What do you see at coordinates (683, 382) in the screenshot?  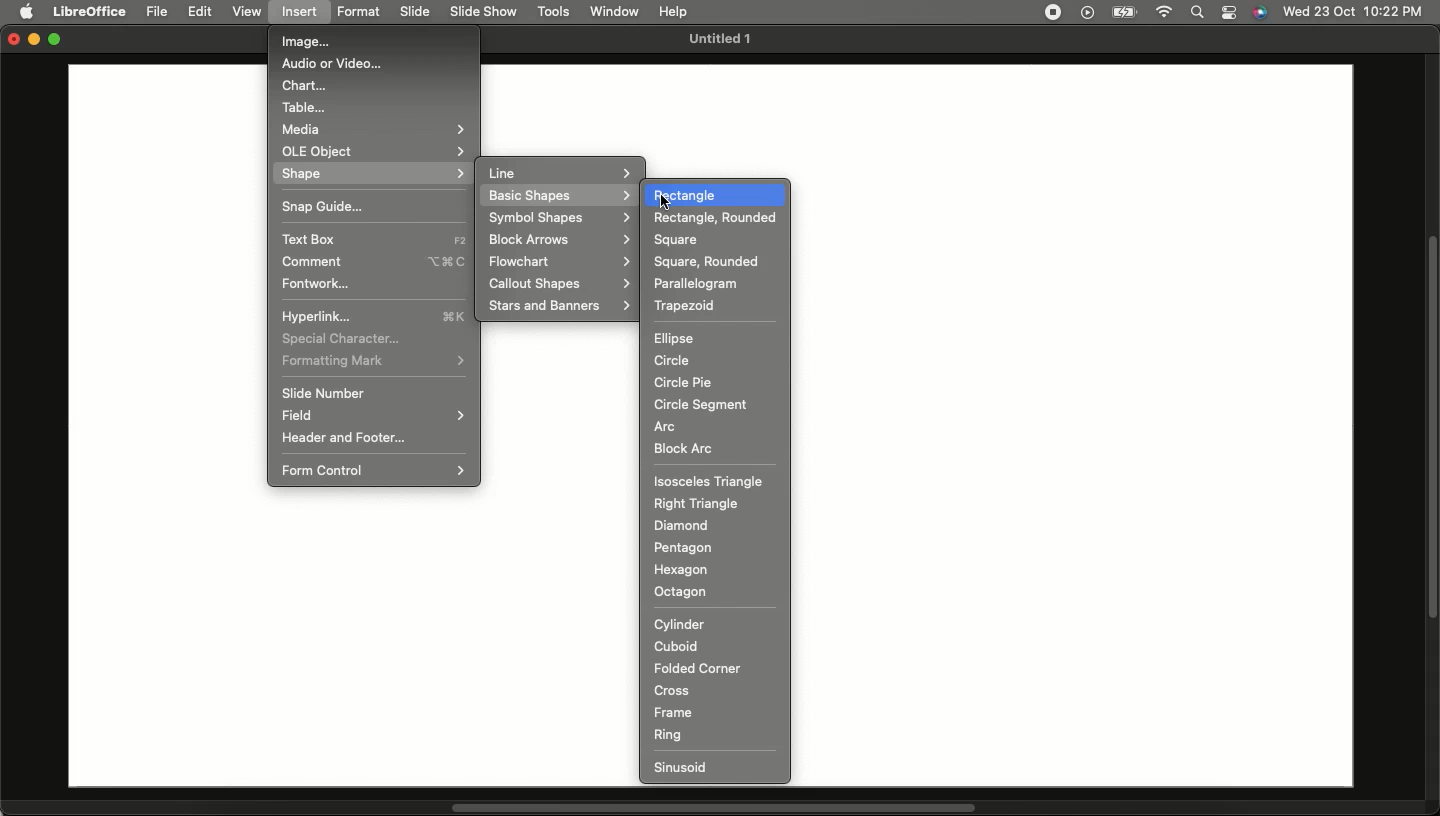 I see `Circle pie` at bounding box center [683, 382].